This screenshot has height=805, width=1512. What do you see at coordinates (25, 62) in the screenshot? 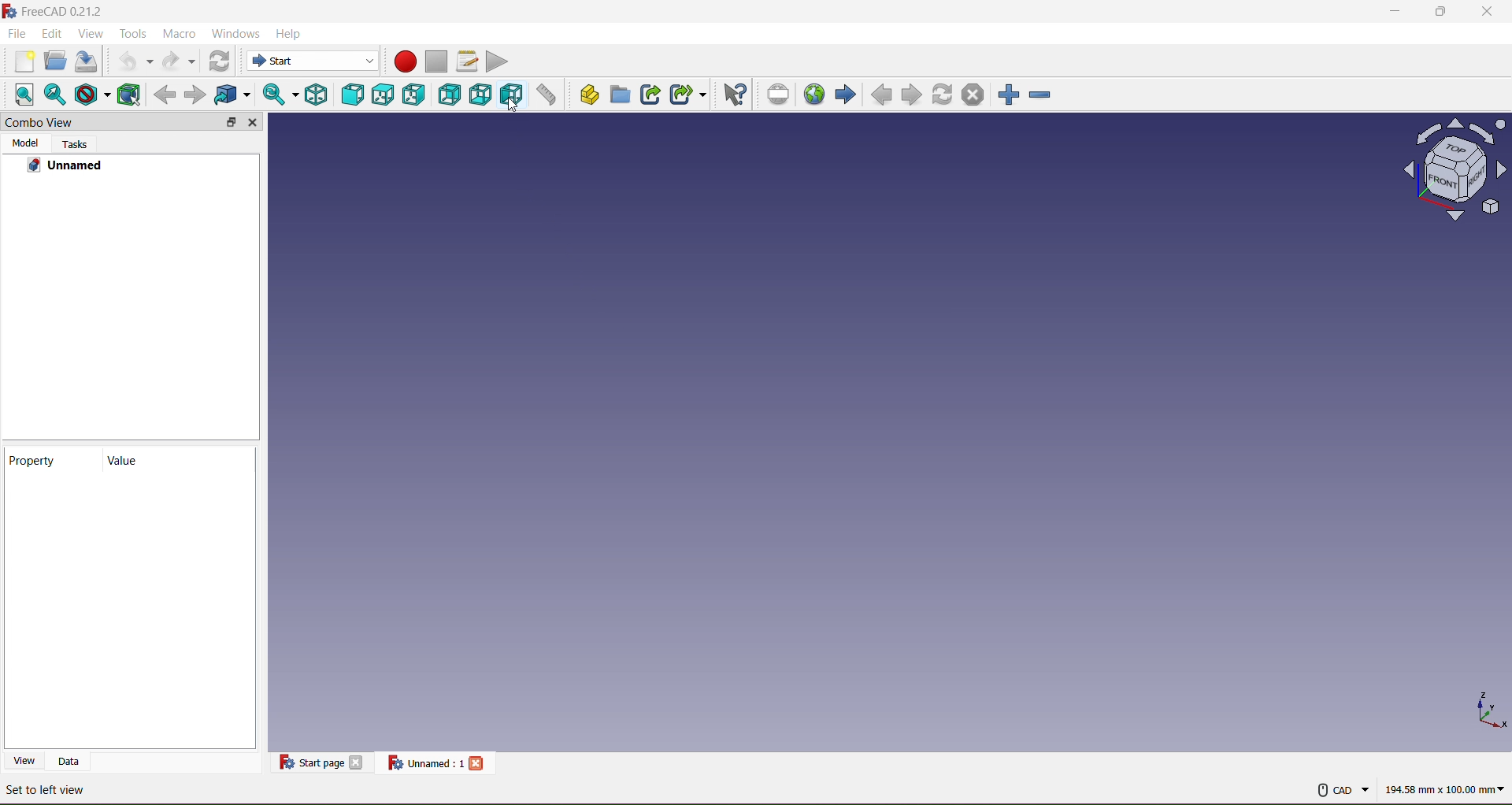
I see `New Document:` at bounding box center [25, 62].